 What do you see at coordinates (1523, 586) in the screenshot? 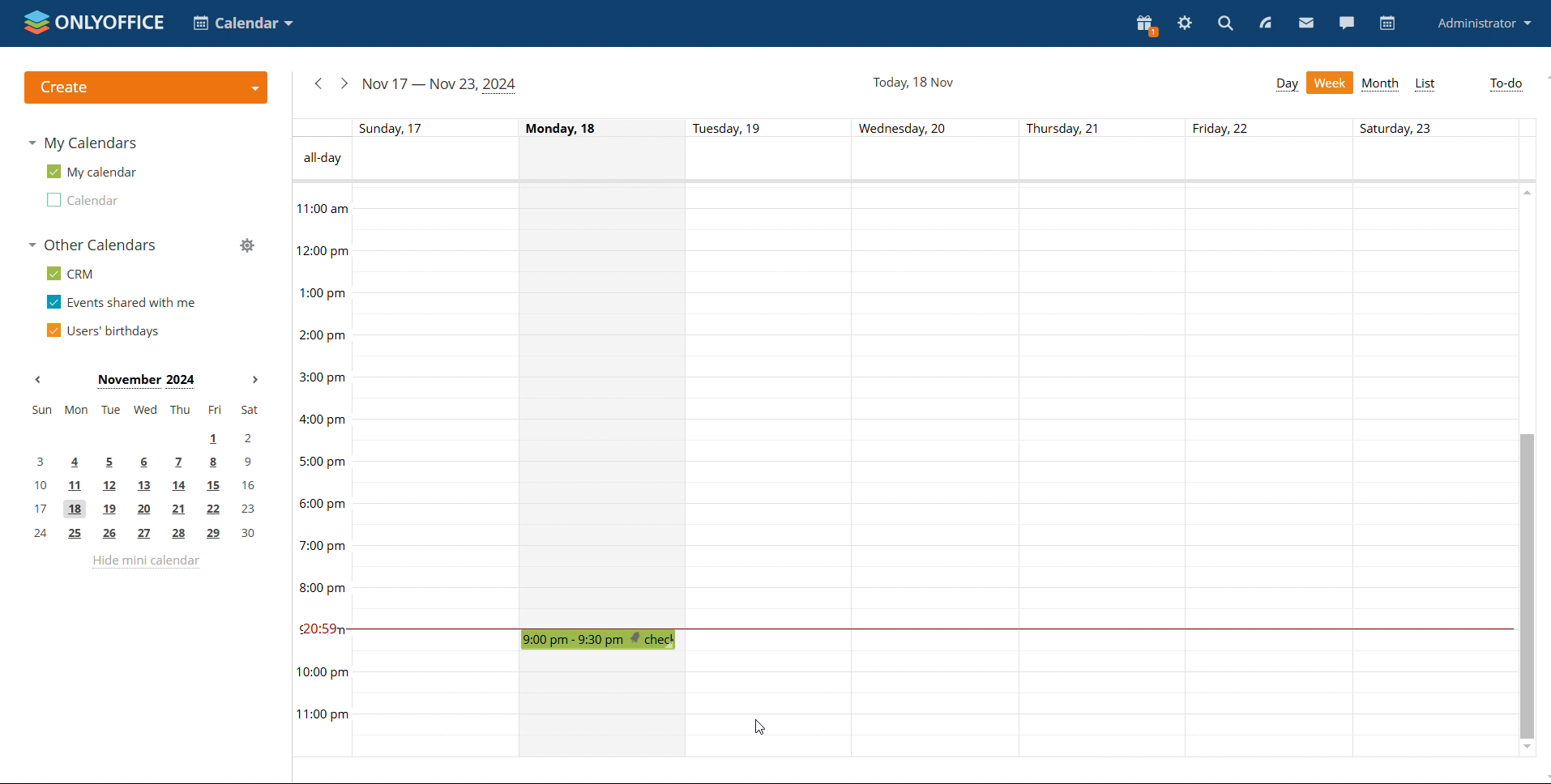
I see `scrollbar` at bounding box center [1523, 586].